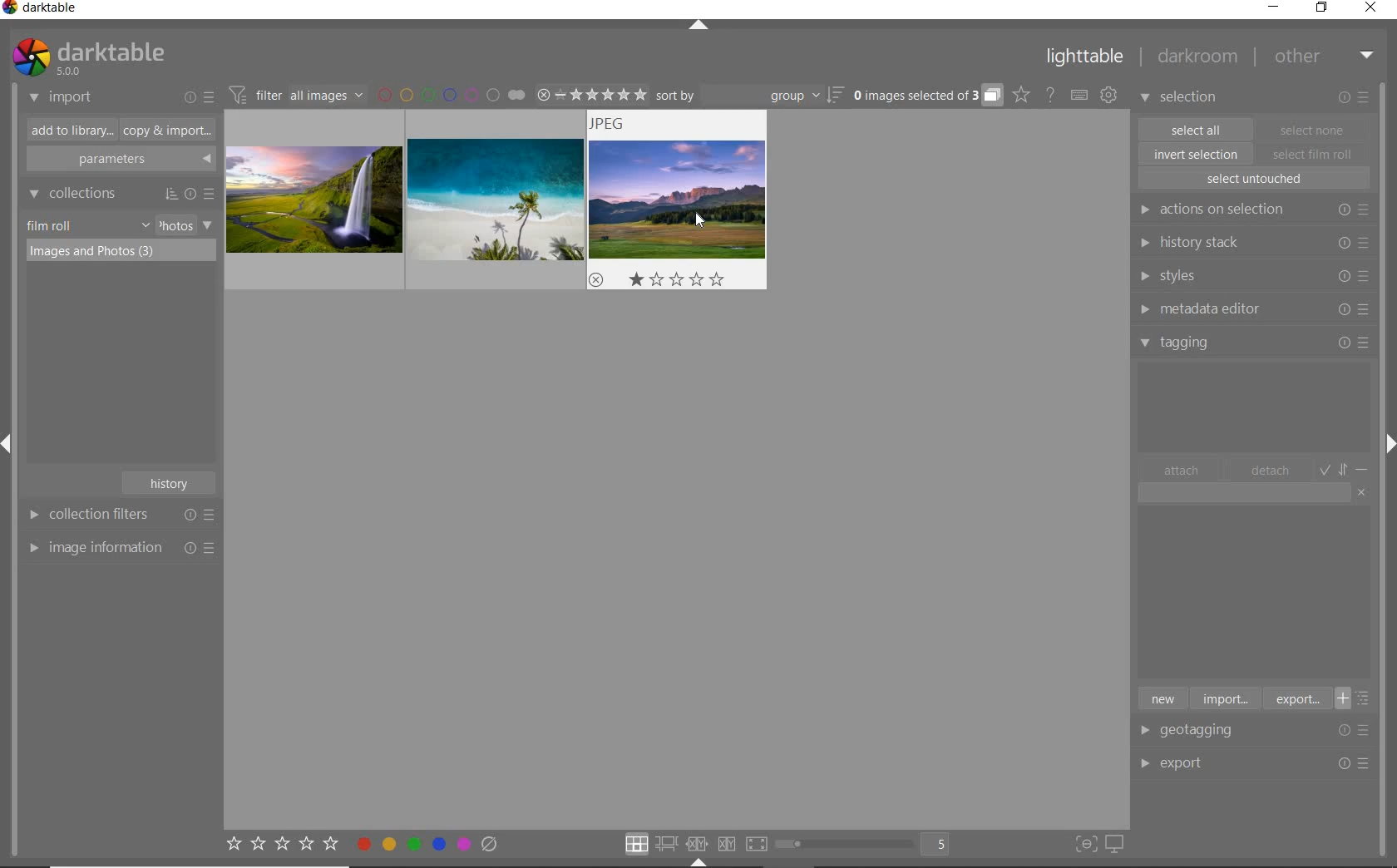 This screenshot has width=1397, height=868. Describe the element at coordinates (1108, 96) in the screenshot. I see `show global preferences` at that location.